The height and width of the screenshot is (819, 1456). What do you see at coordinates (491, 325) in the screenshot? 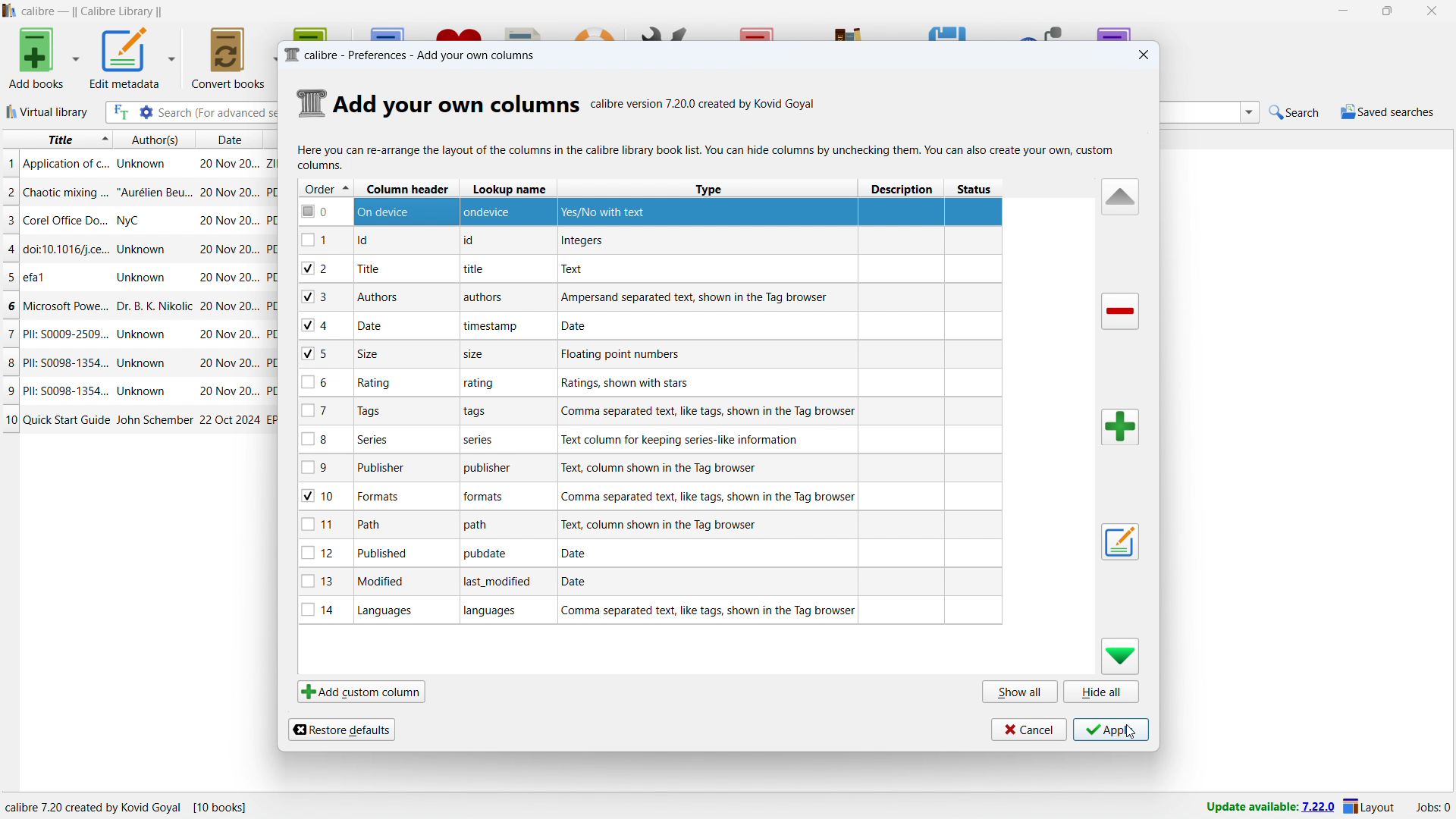
I see `timestamp` at bounding box center [491, 325].